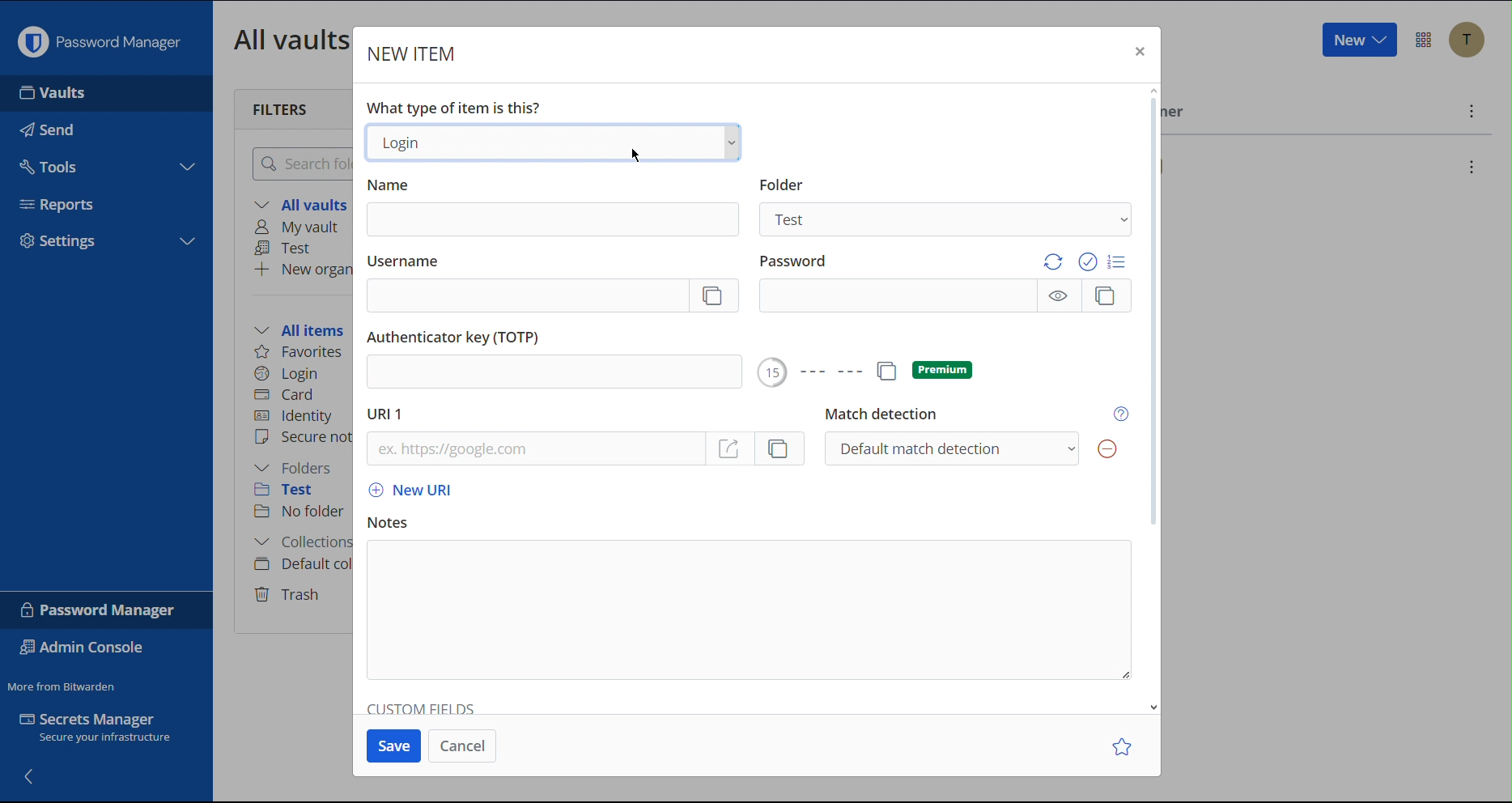 The height and width of the screenshot is (803, 1512). Describe the element at coordinates (108, 202) in the screenshot. I see `Reports` at that location.